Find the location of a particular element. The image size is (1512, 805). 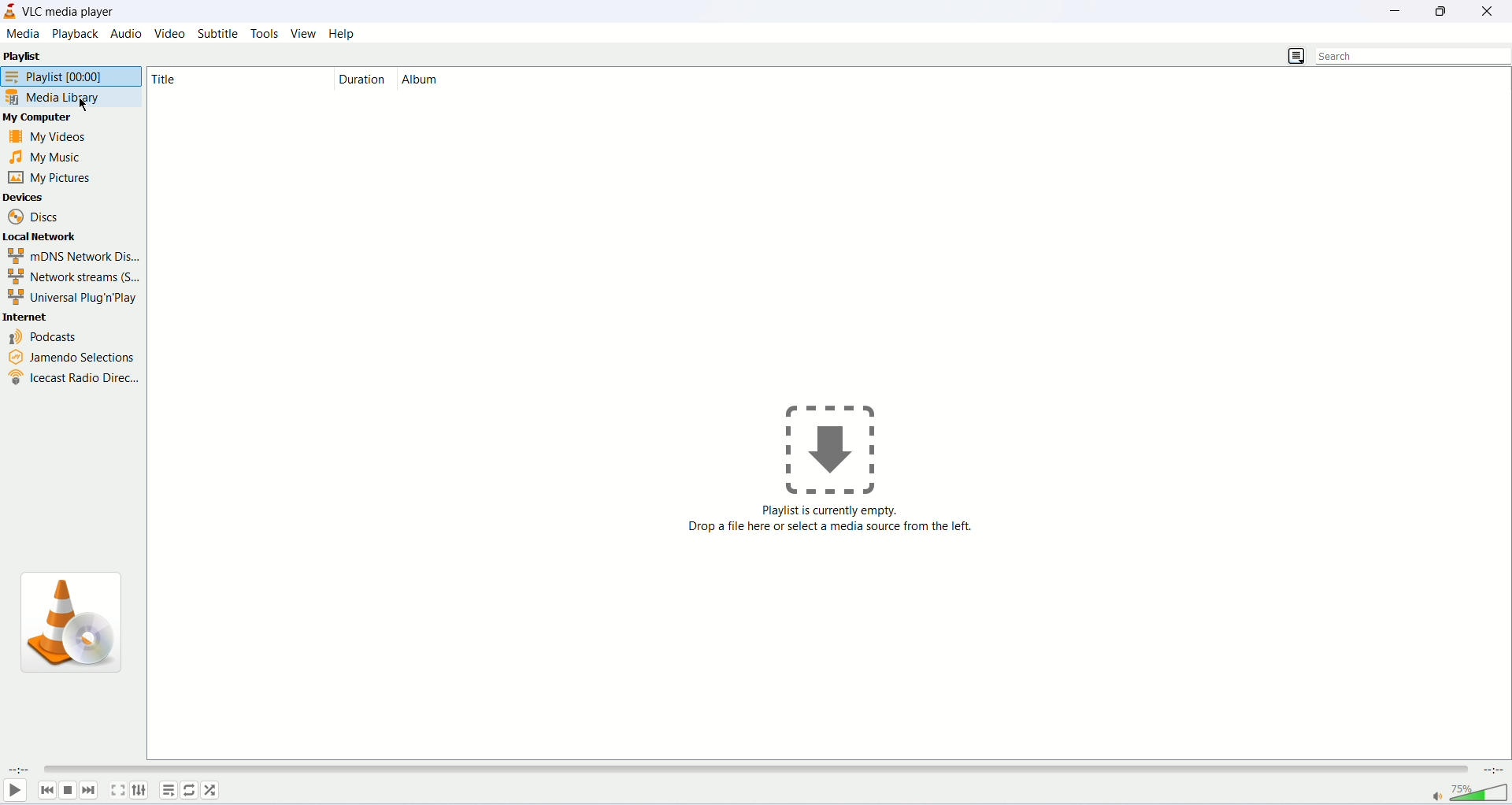

internet is located at coordinates (27, 317).